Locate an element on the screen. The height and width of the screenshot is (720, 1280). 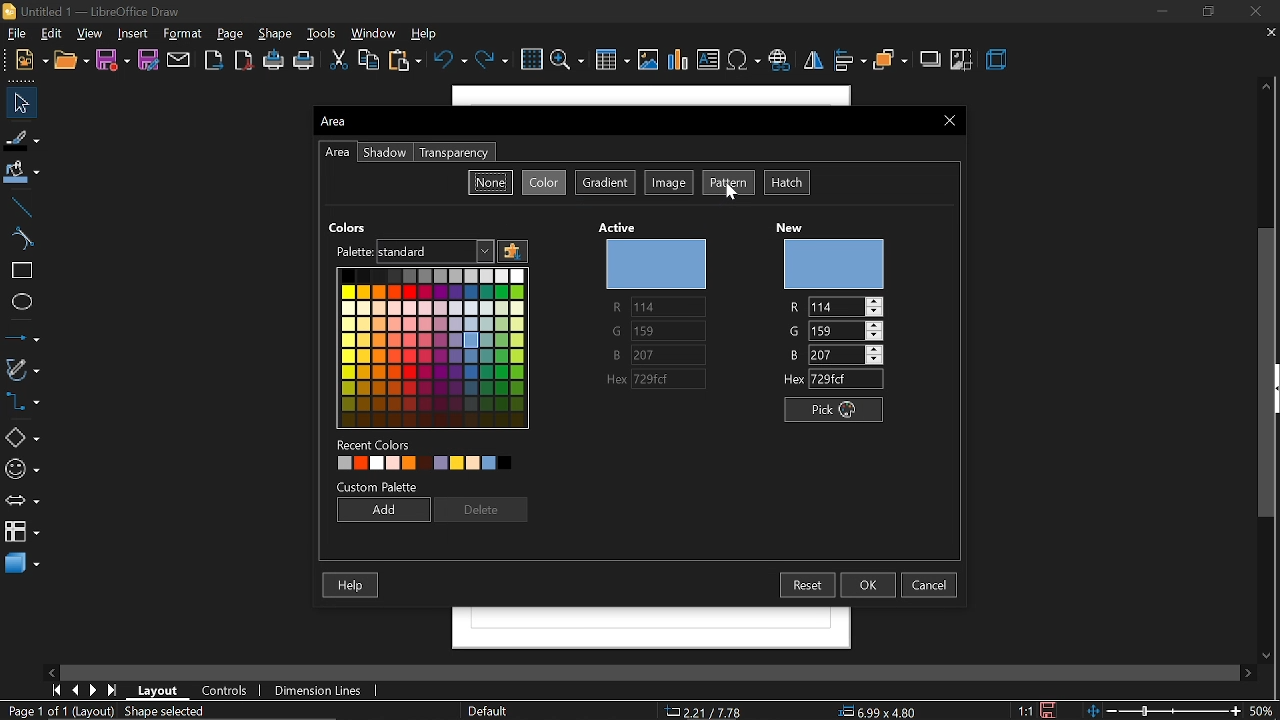
shadow is located at coordinates (928, 58).